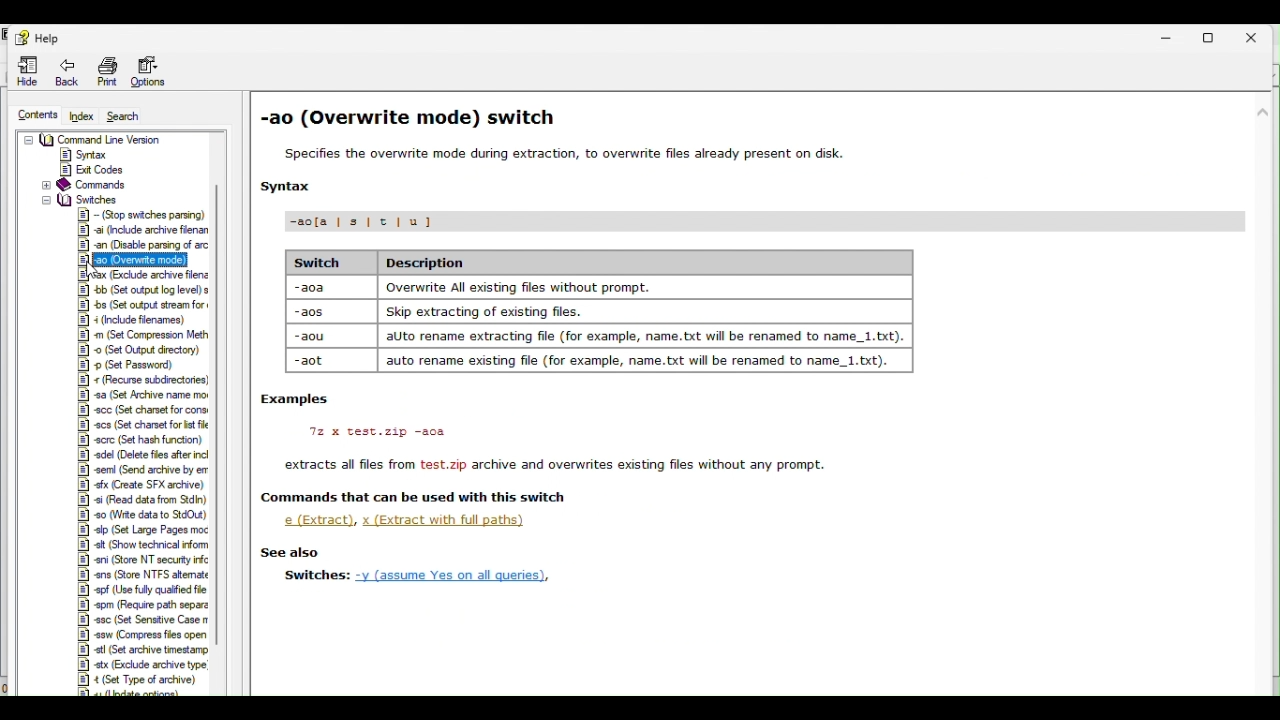 This screenshot has width=1280, height=720. Describe the element at coordinates (468, 575) in the screenshot. I see `-y (assume Yes on all quenes` at that location.